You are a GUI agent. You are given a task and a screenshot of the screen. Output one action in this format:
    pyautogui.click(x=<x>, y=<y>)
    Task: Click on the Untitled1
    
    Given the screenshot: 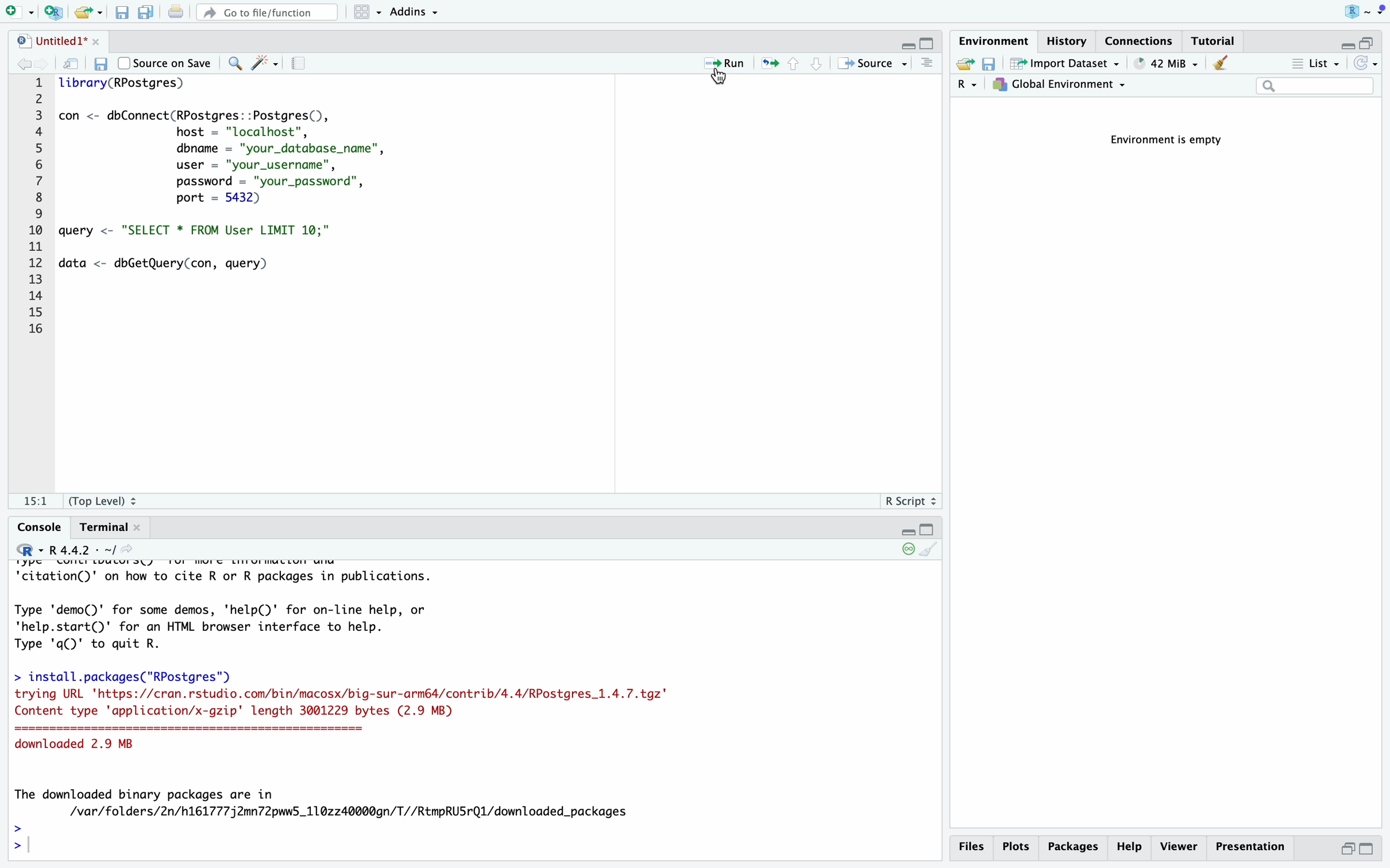 What is the action you would take?
    pyautogui.click(x=41, y=39)
    